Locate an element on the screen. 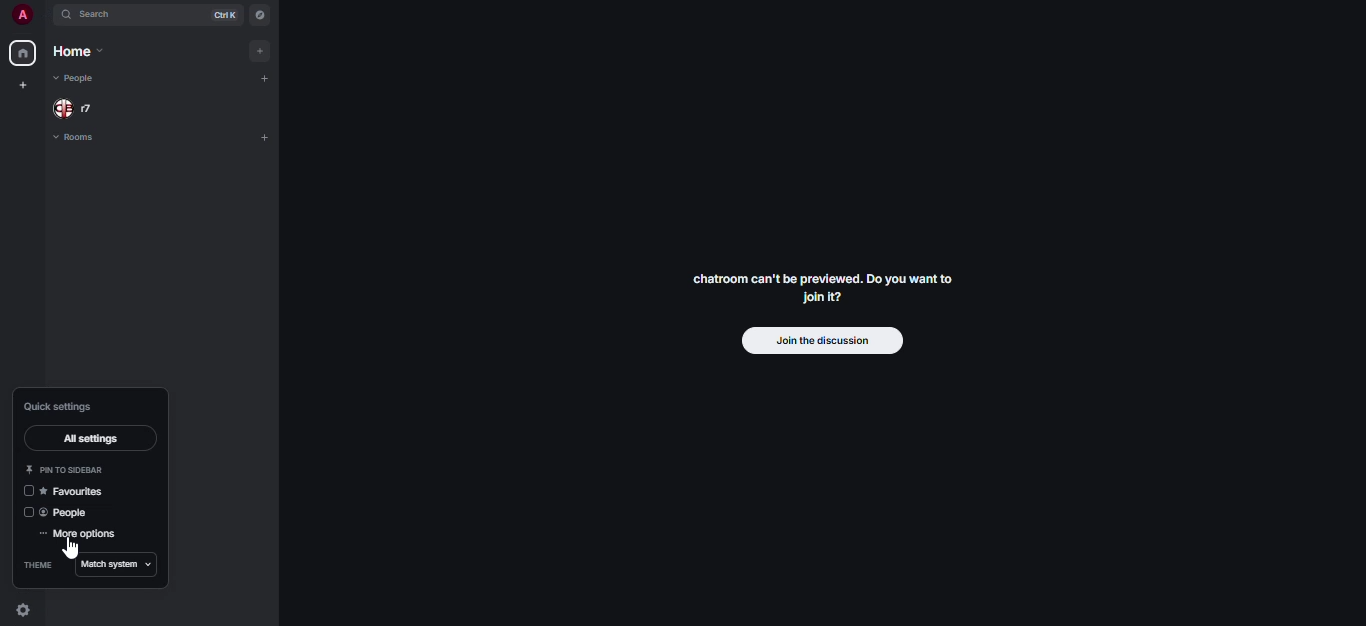 Image resolution: width=1366 pixels, height=626 pixels. quick settings is located at coordinates (58, 406).